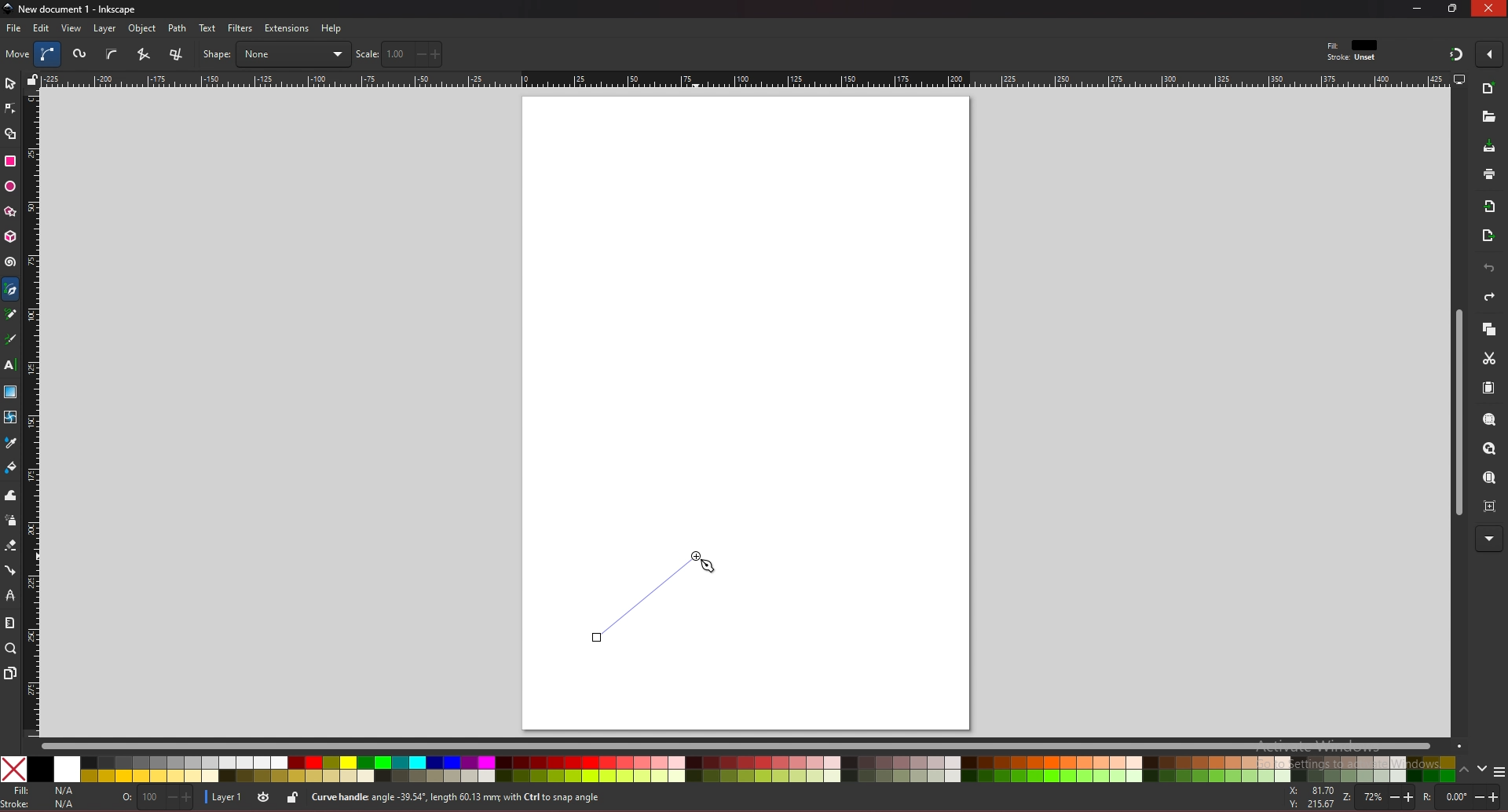 Image resolution: width=1508 pixels, height=812 pixels. What do you see at coordinates (1489, 8) in the screenshot?
I see `close` at bounding box center [1489, 8].